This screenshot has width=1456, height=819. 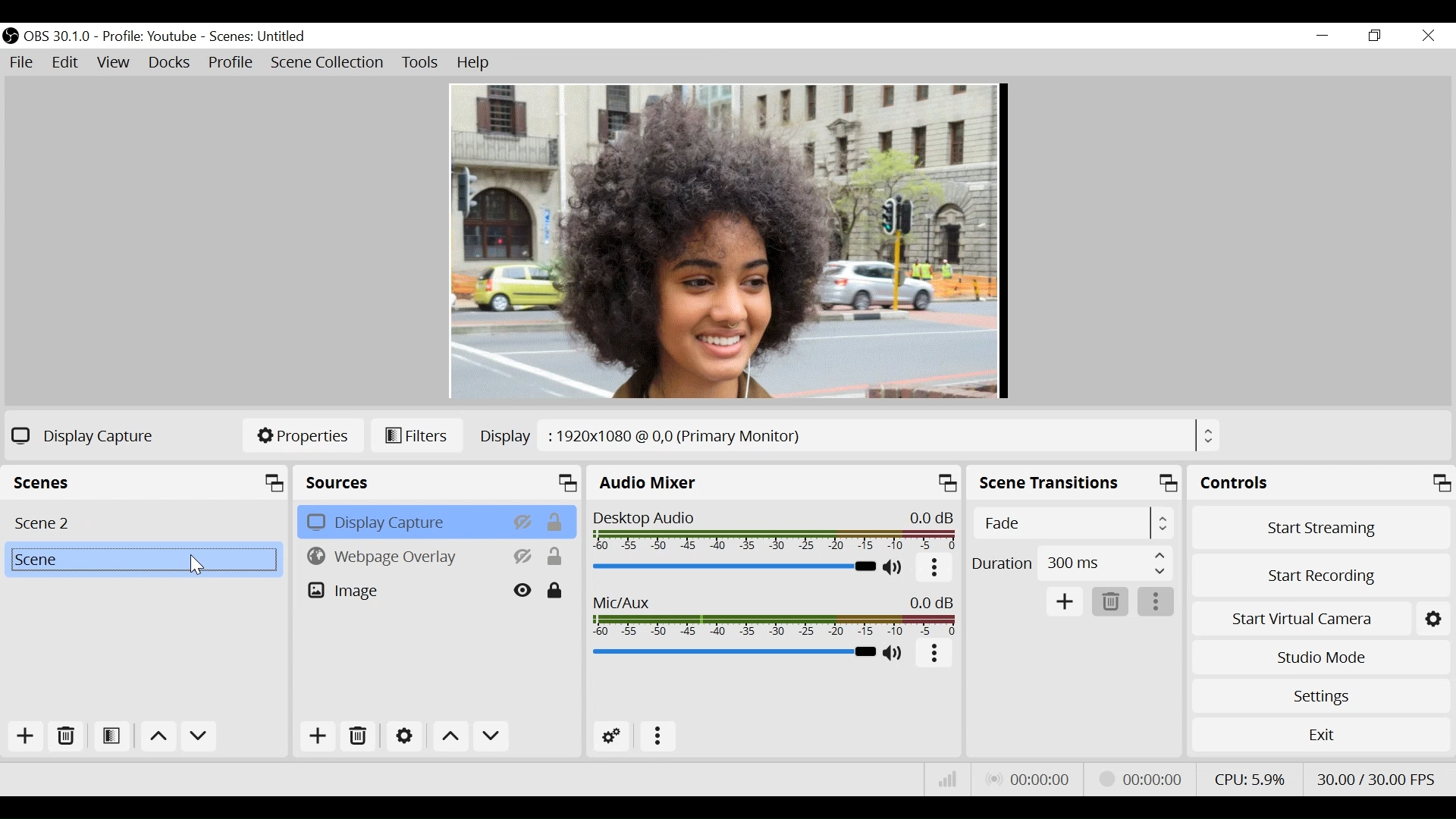 I want to click on (un)mute, so click(x=894, y=653).